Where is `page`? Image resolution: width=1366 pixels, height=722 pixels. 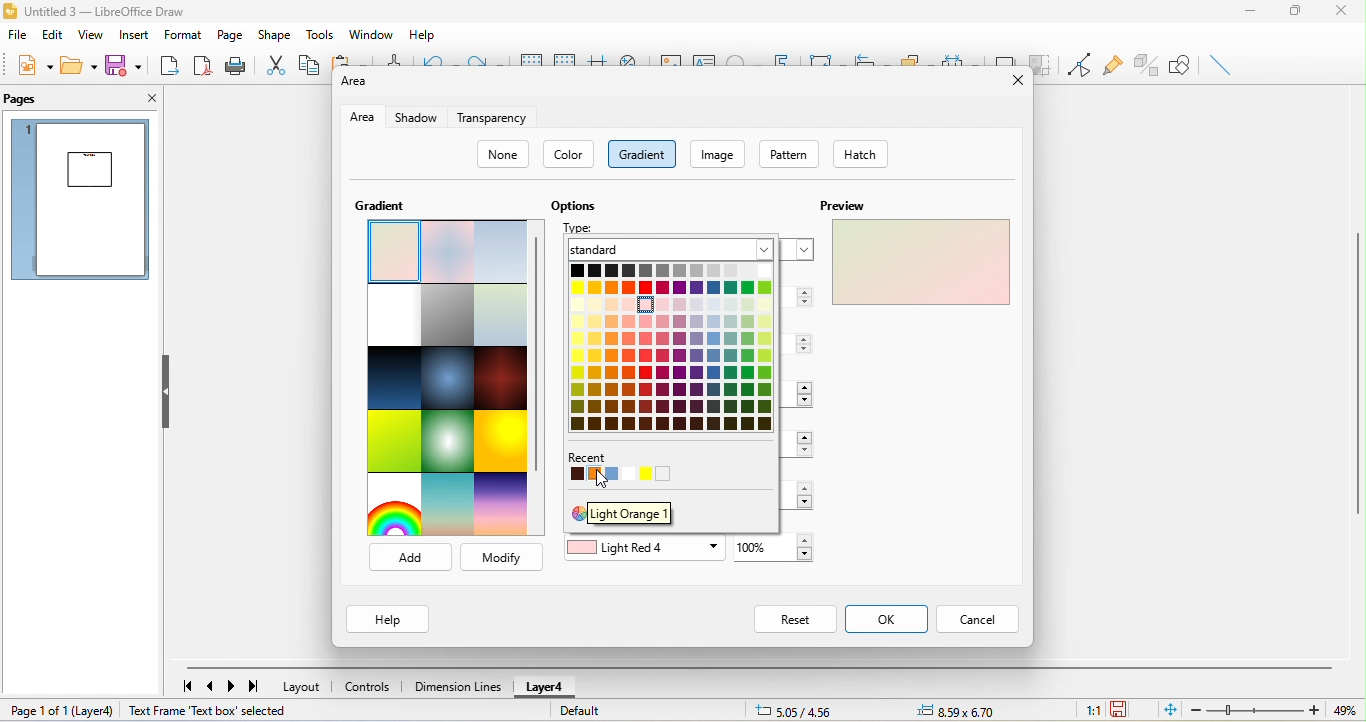
page is located at coordinates (228, 34).